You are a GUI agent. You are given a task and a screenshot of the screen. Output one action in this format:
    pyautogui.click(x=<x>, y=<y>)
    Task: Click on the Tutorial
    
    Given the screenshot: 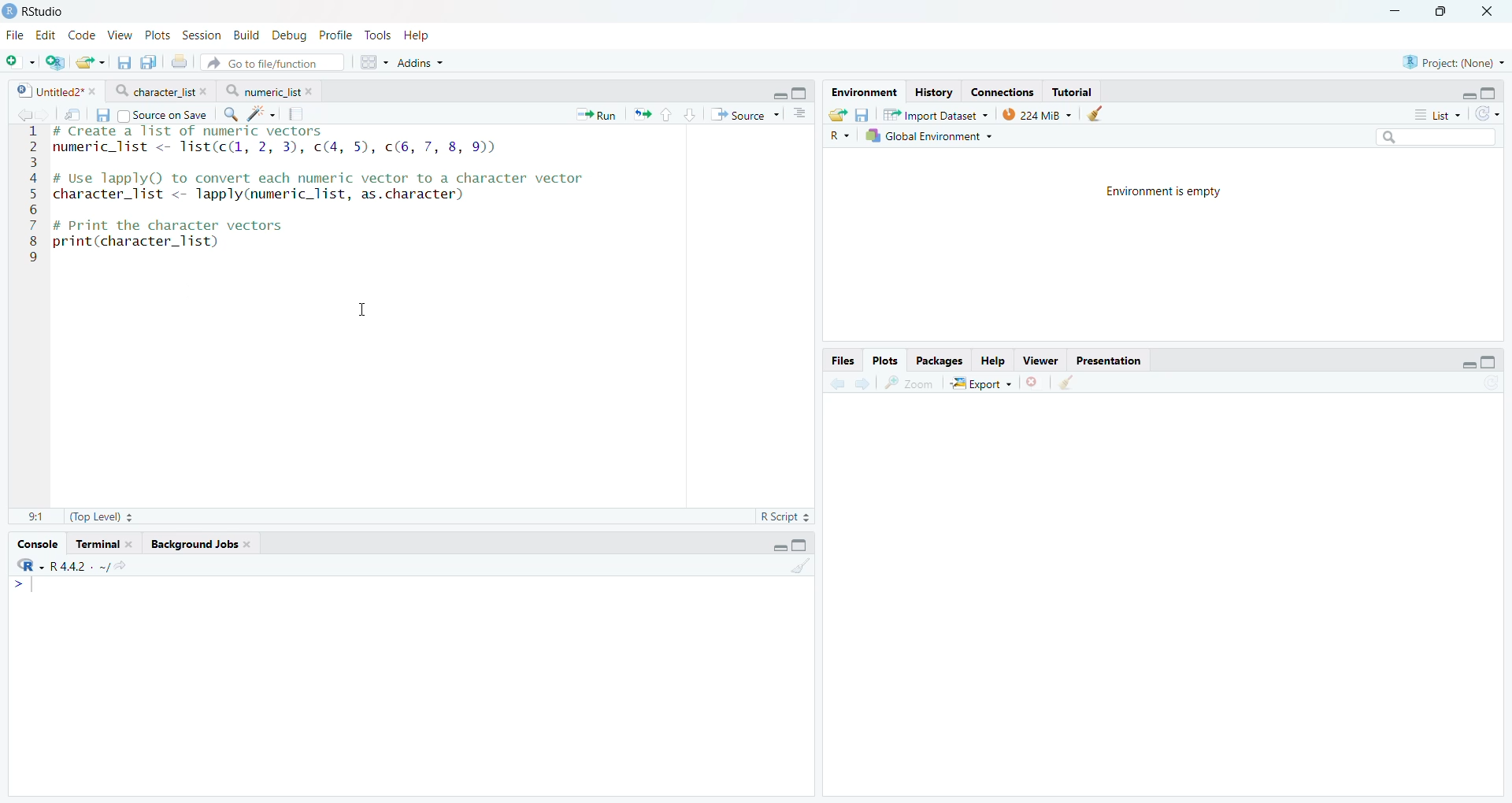 What is the action you would take?
    pyautogui.click(x=1073, y=92)
    